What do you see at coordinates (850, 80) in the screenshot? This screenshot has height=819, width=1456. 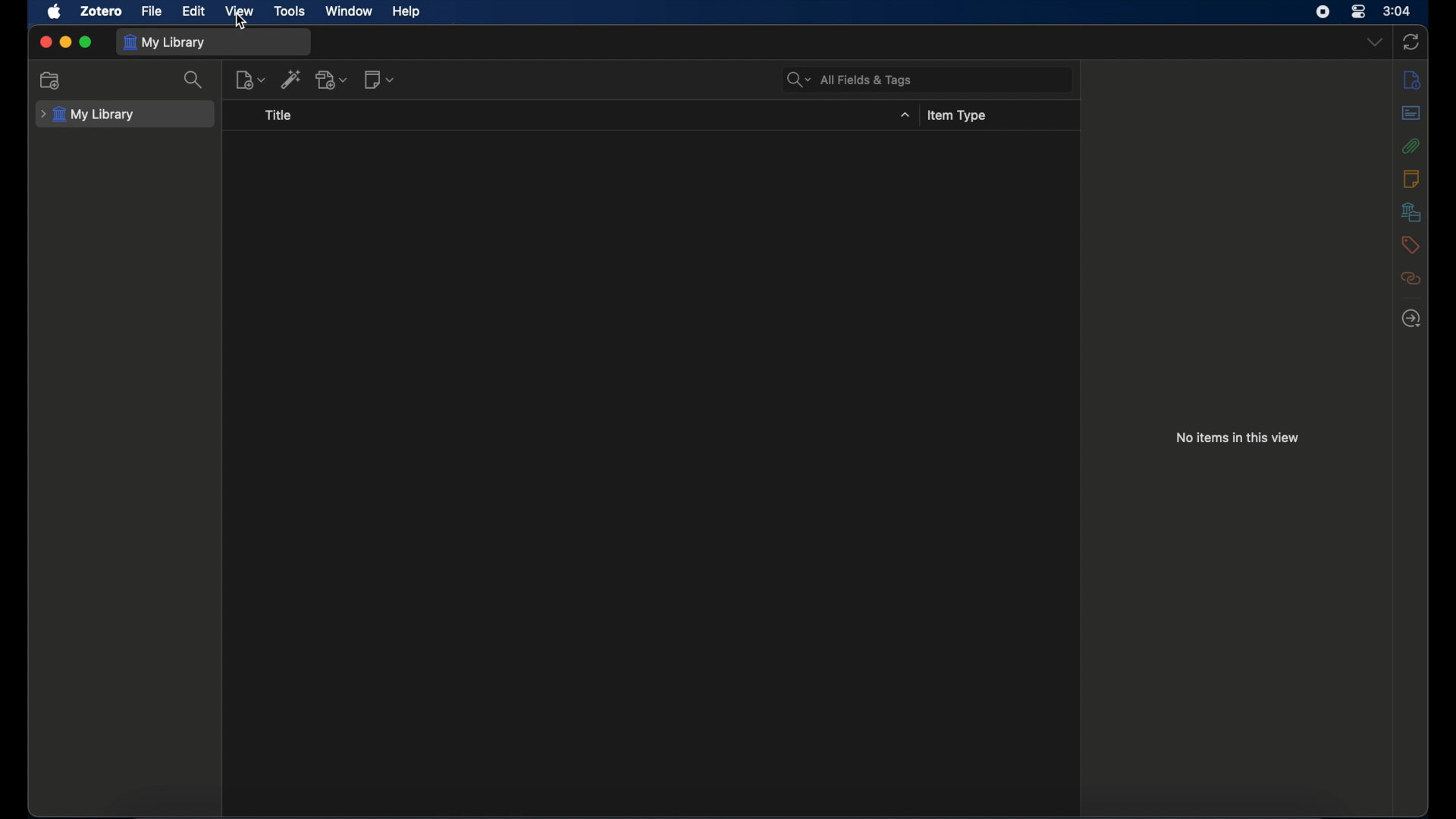 I see `all fields & tags` at bounding box center [850, 80].